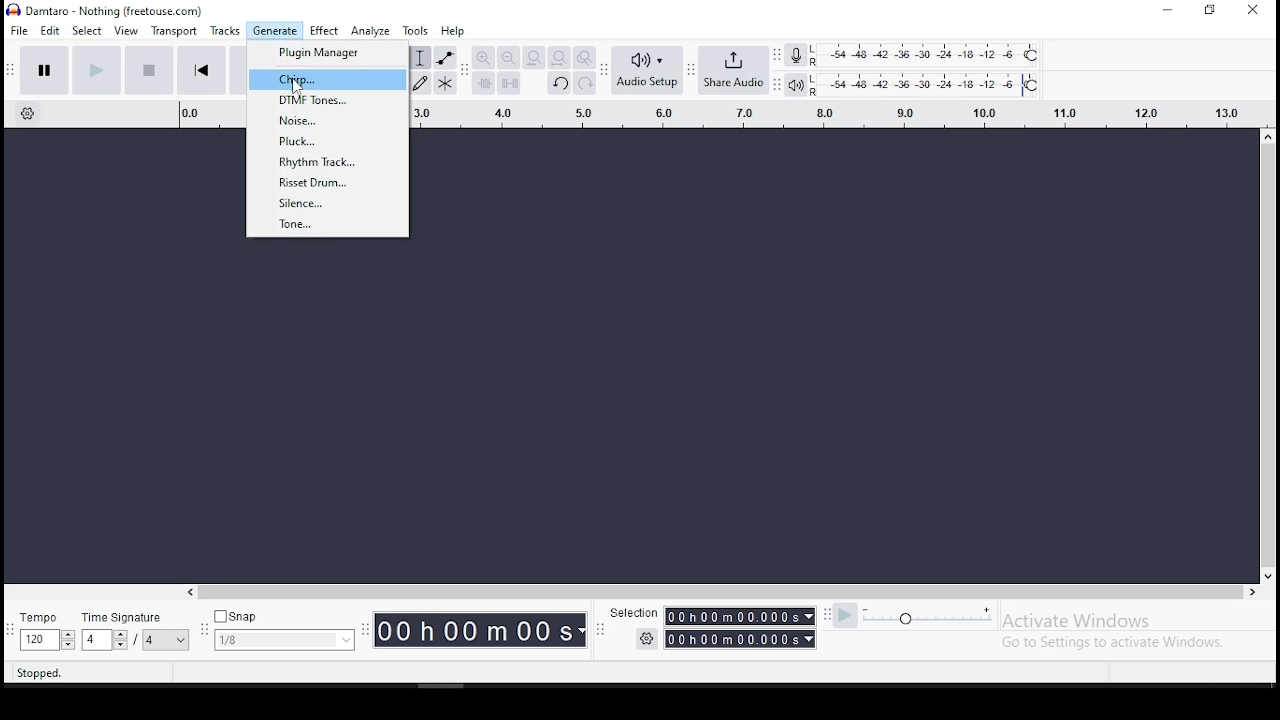 Image resolution: width=1280 pixels, height=720 pixels. What do you see at coordinates (1212, 10) in the screenshot?
I see `restore` at bounding box center [1212, 10].